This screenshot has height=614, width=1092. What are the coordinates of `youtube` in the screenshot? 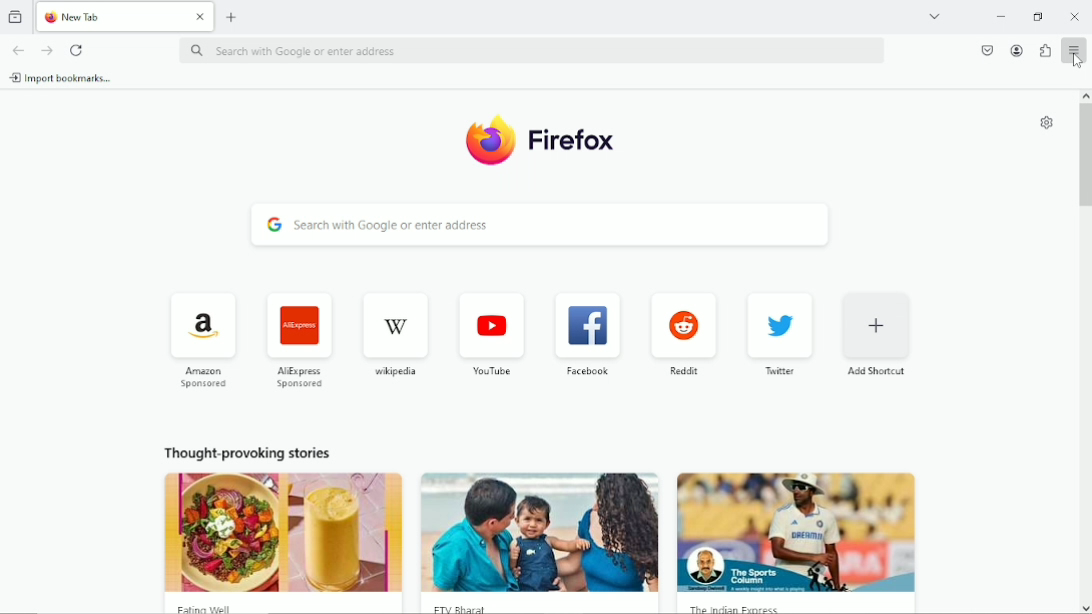 It's located at (490, 372).